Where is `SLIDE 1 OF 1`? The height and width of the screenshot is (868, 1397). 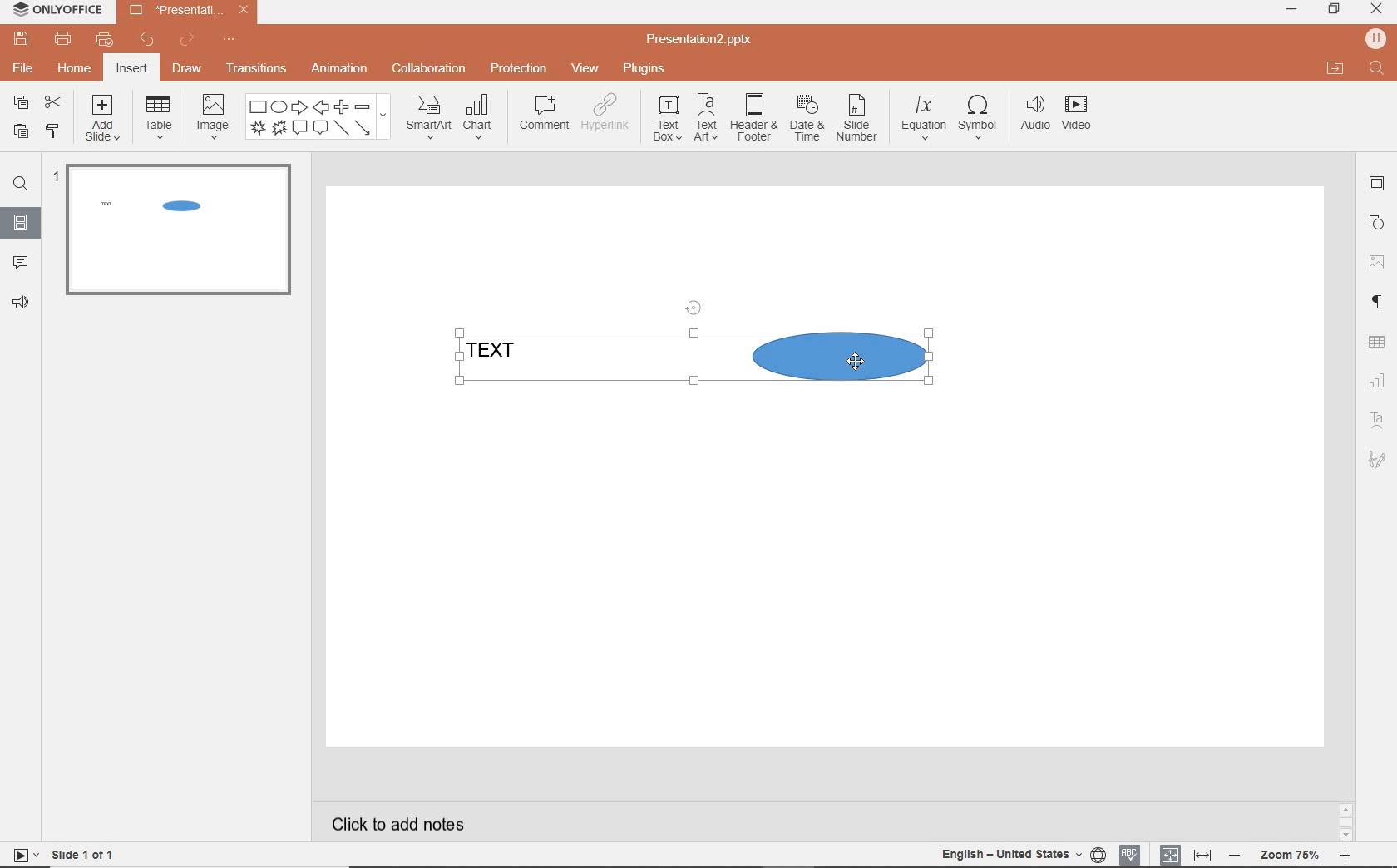 SLIDE 1 OF 1 is located at coordinates (65, 854).